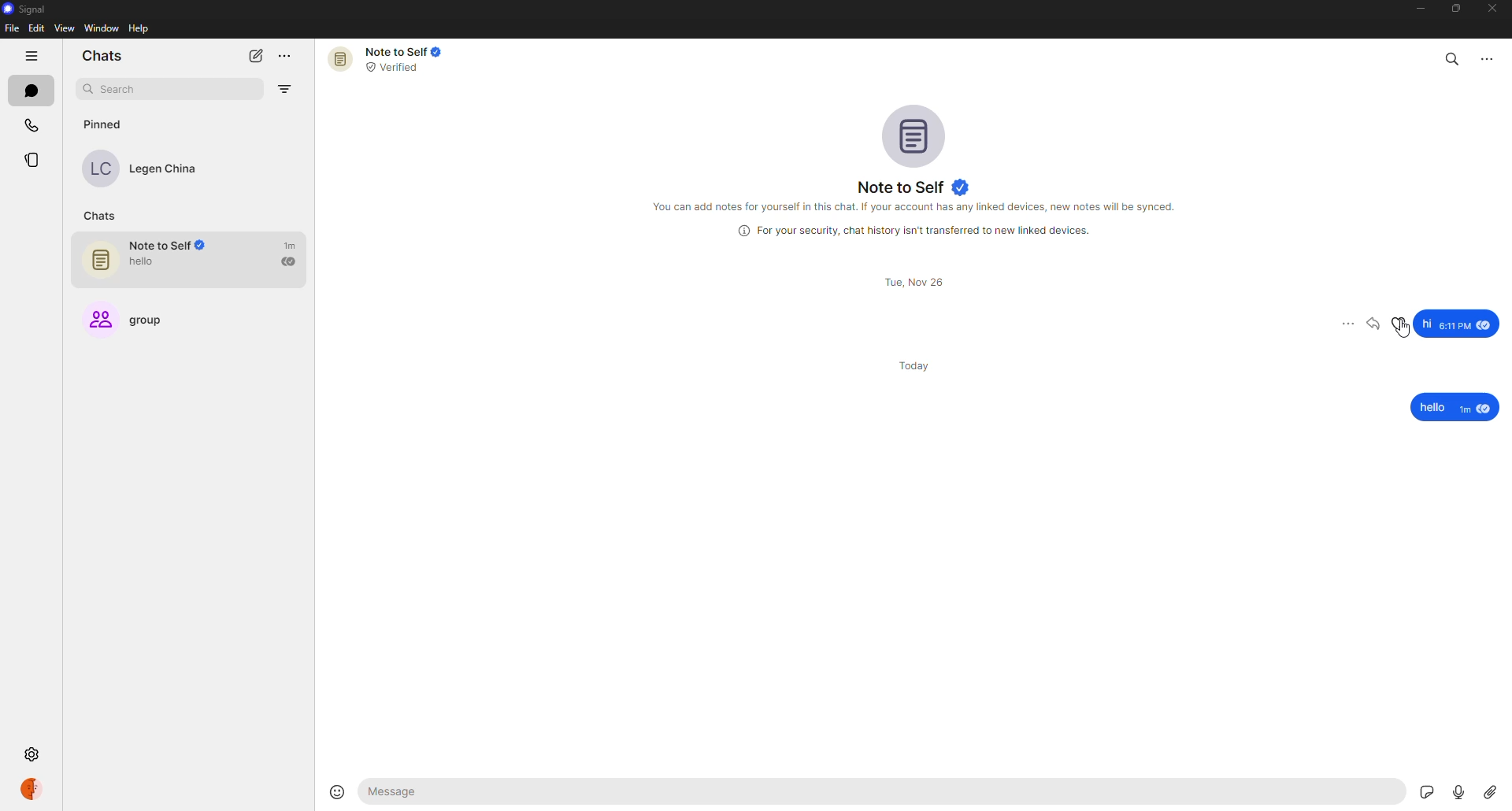 This screenshot has width=1512, height=811. Describe the element at coordinates (1457, 323) in the screenshot. I see `message` at that location.